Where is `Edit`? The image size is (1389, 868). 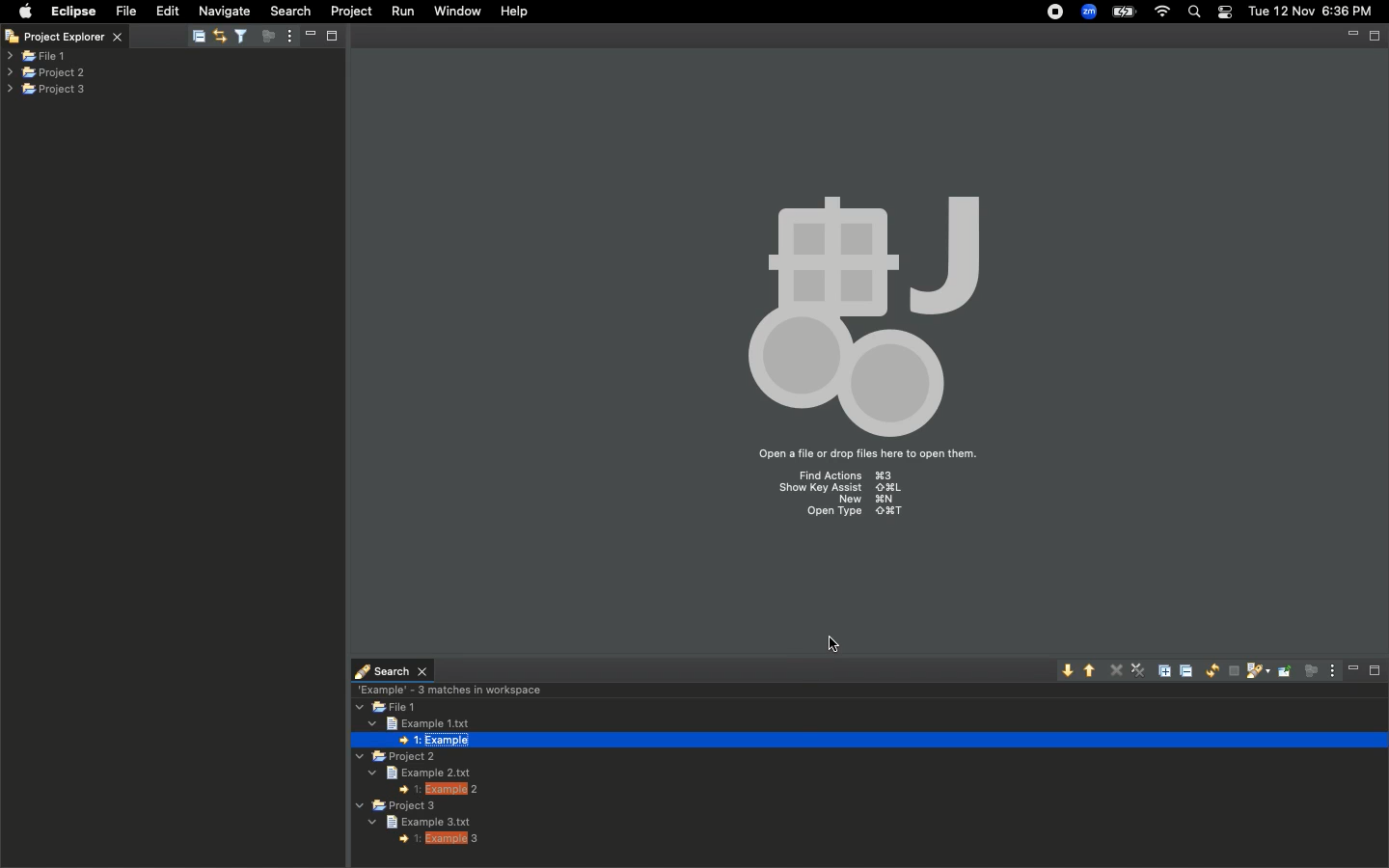
Edit is located at coordinates (168, 12).